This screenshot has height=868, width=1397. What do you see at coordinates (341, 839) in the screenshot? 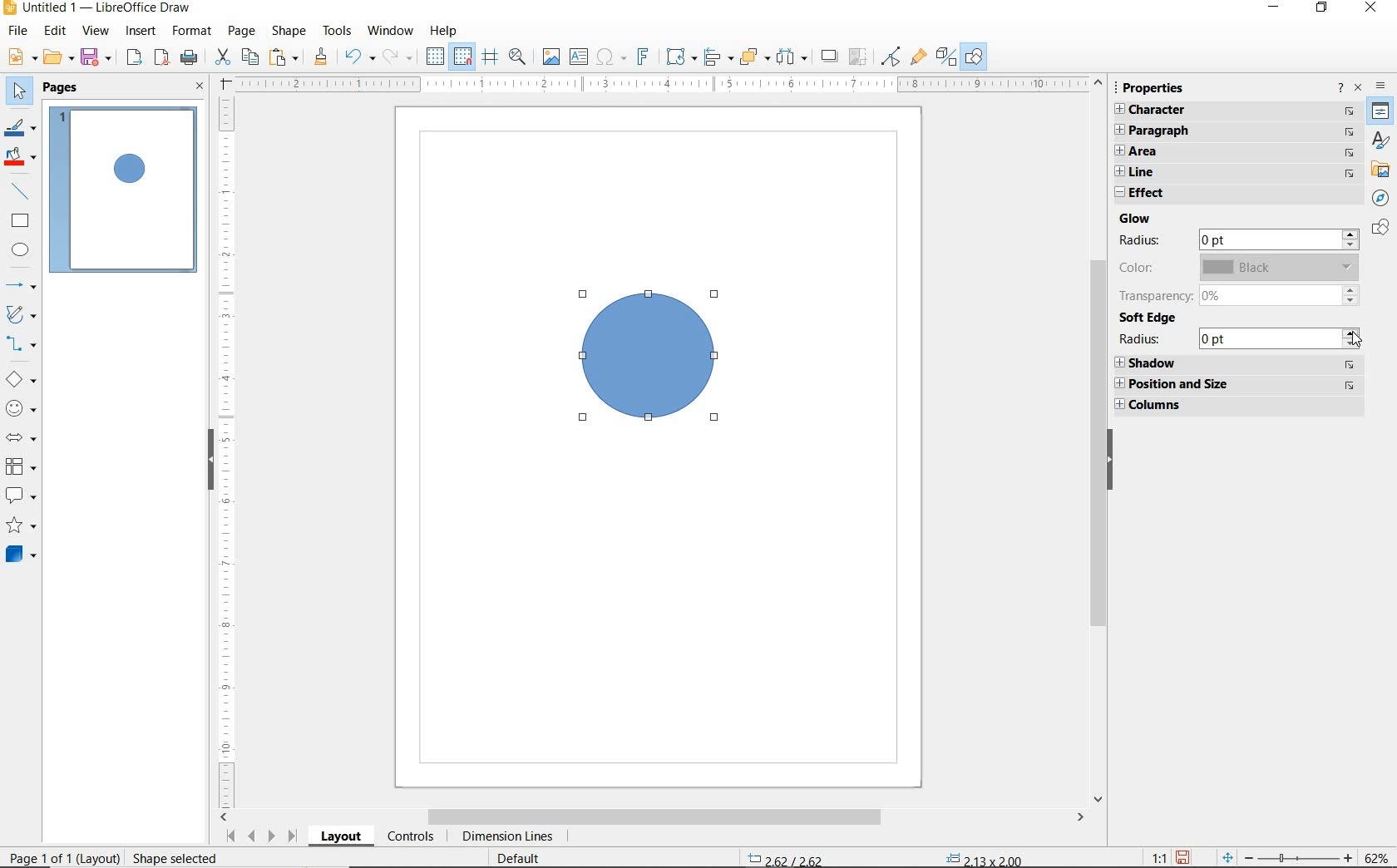
I see `LAYOUT` at bounding box center [341, 839].